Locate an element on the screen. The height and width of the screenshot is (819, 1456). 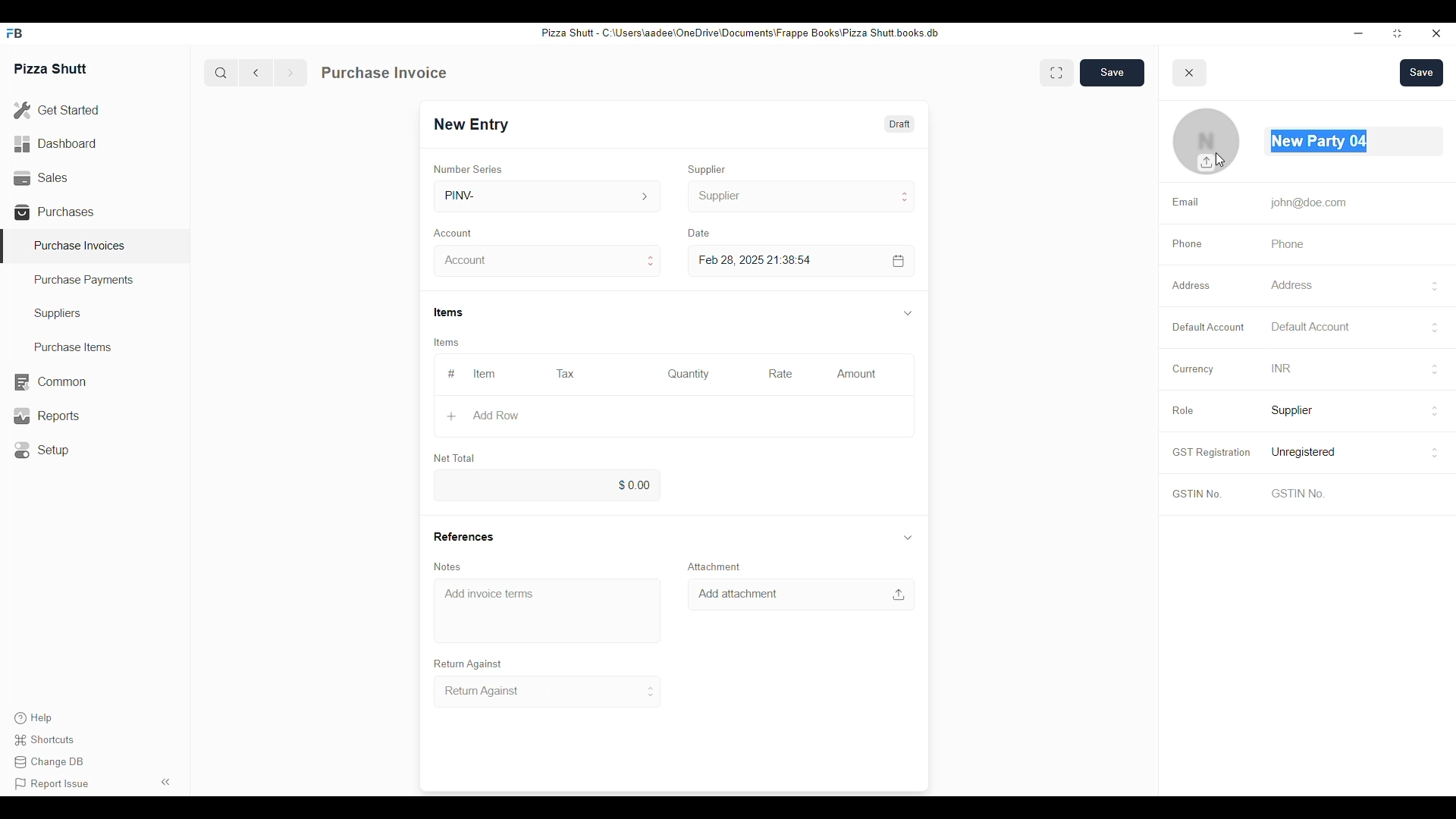
Supplier is located at coordinates (802, 196).